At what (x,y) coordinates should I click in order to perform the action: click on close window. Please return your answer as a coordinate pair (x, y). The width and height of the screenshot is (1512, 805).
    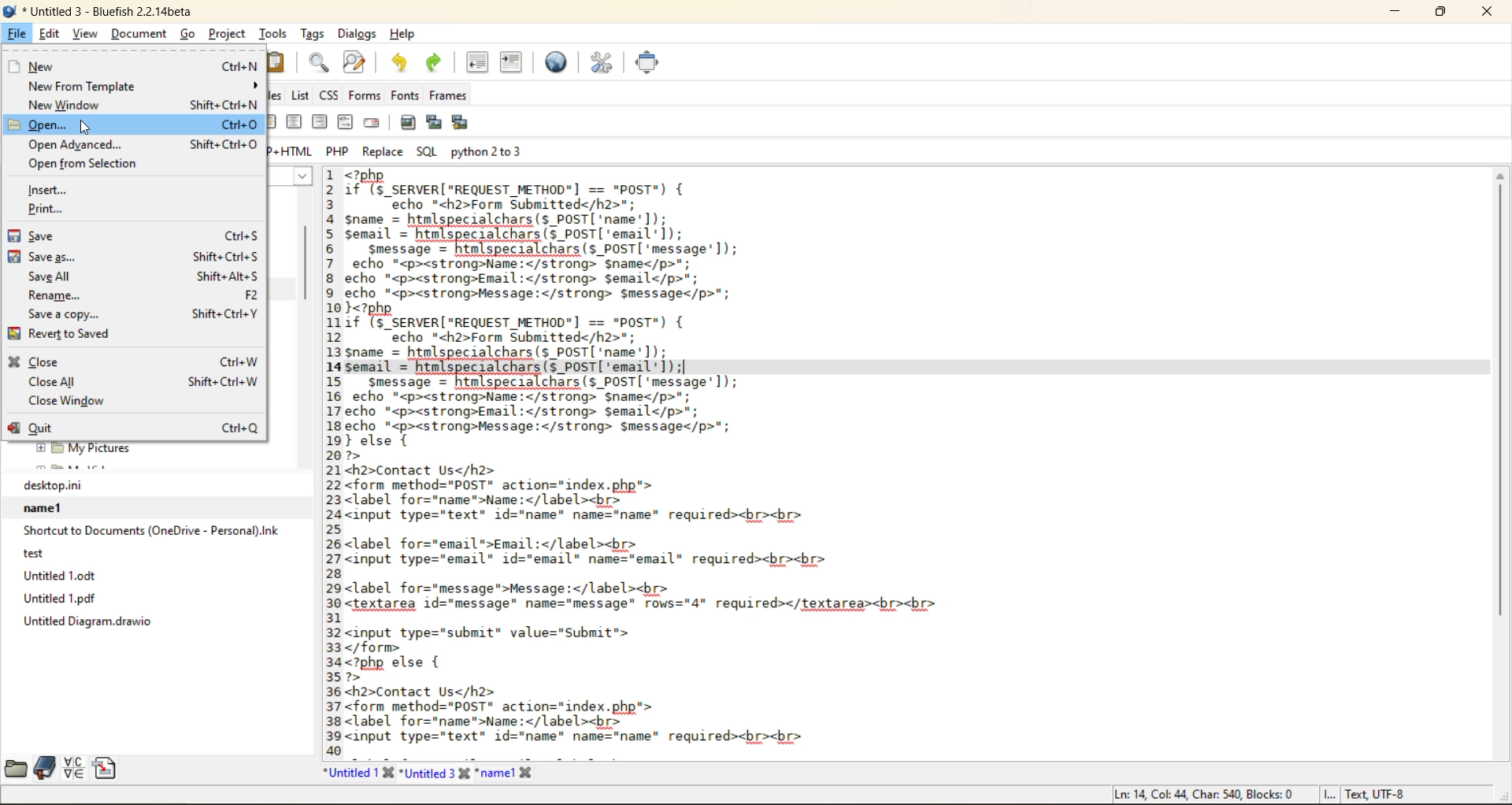
    Looking at the image, I should click on (66, 404).